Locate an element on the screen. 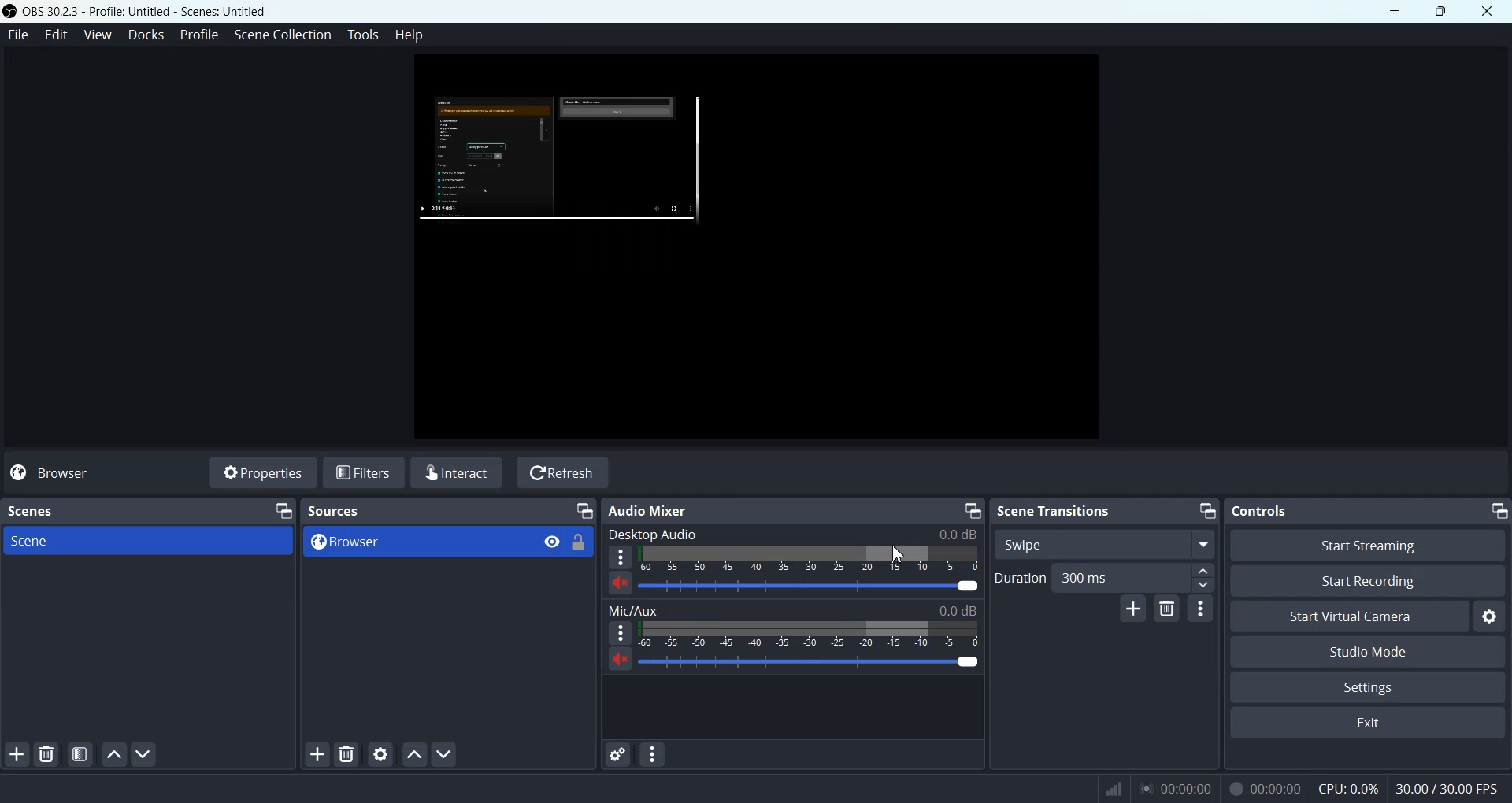  Scenes is located at coordinates (33, 511).